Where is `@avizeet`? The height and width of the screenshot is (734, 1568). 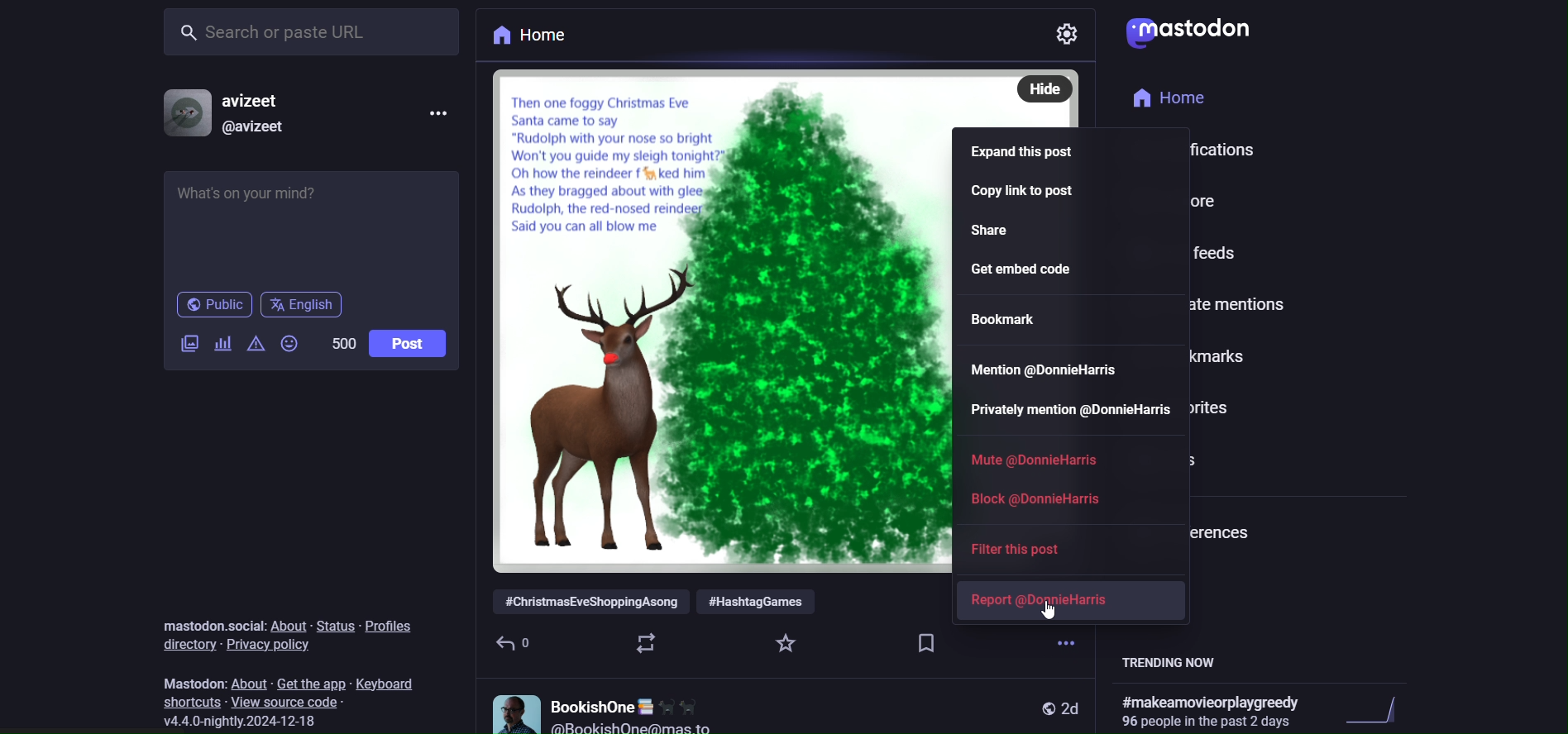 @avizeet is located at coordinates (256, 131).